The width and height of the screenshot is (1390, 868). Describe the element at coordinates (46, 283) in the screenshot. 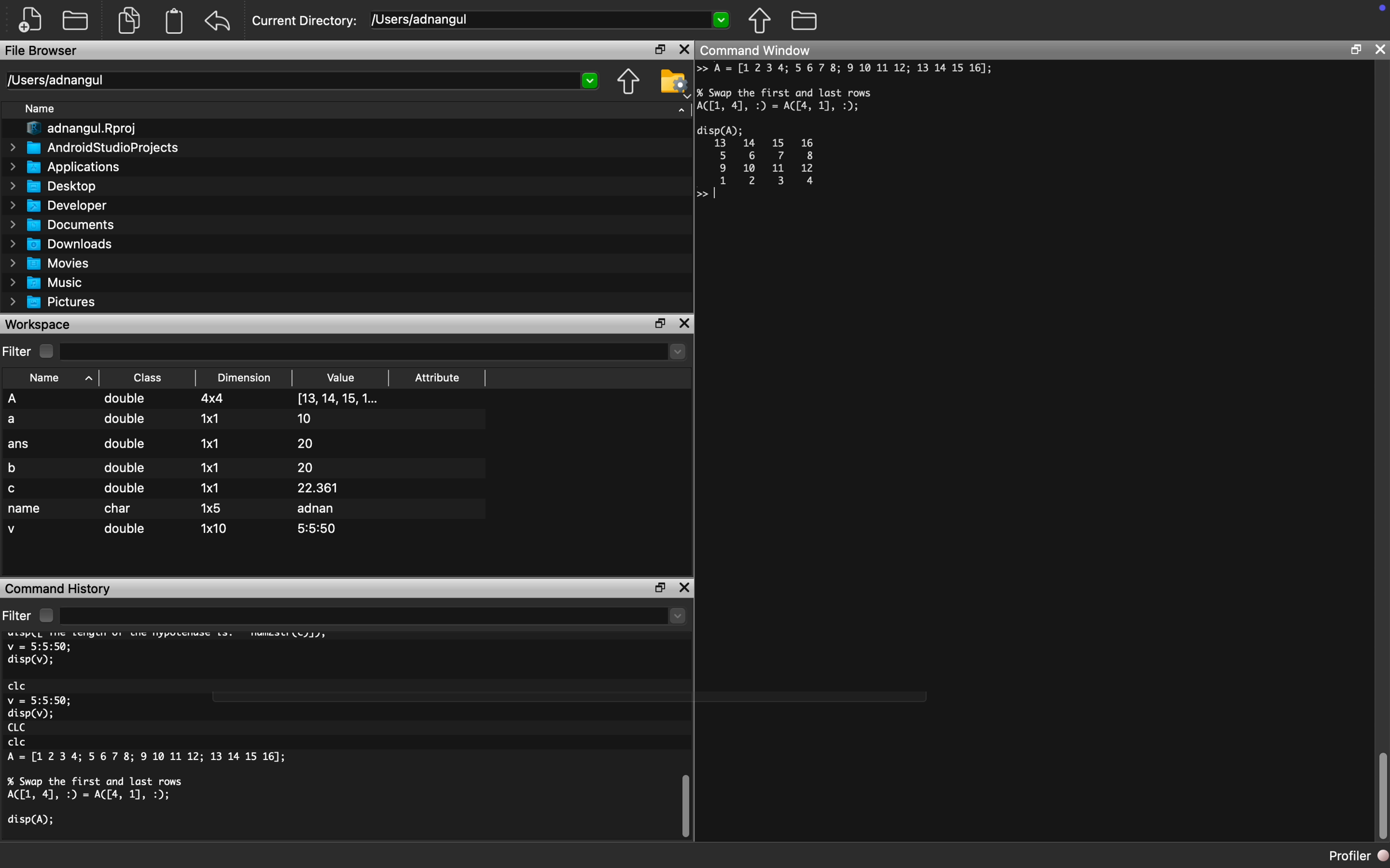

I see `> Music` at that location.